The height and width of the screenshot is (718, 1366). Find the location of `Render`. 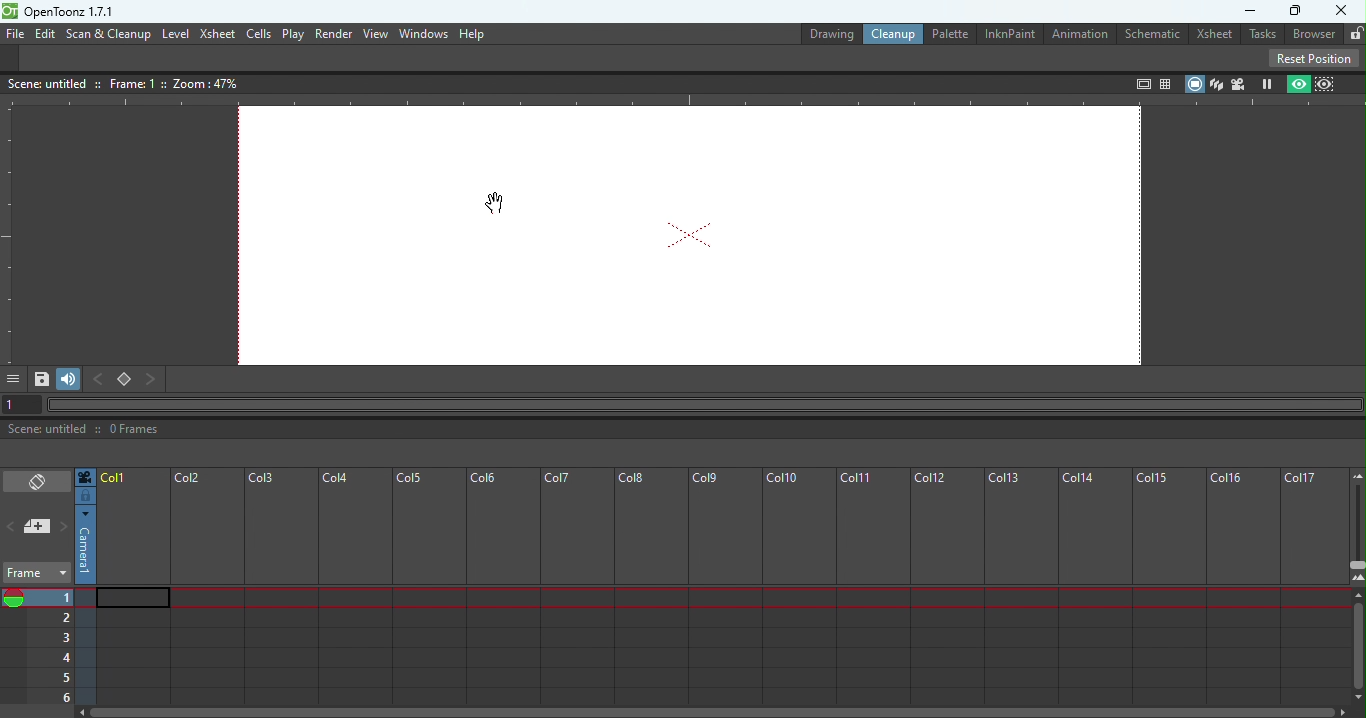

Render is located at coordinates (331, 33).